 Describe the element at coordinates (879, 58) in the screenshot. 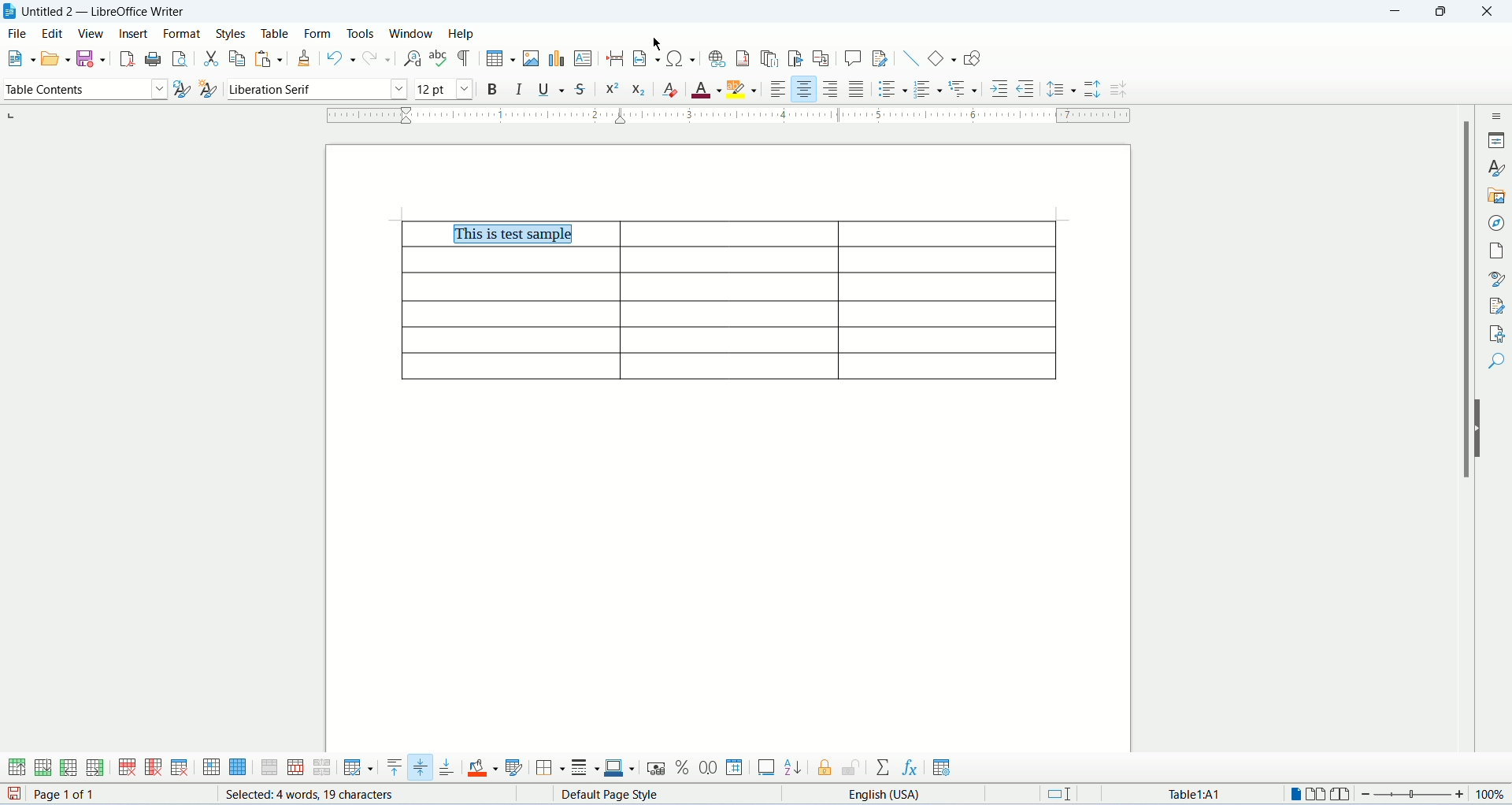

I see `track changes` at that location.